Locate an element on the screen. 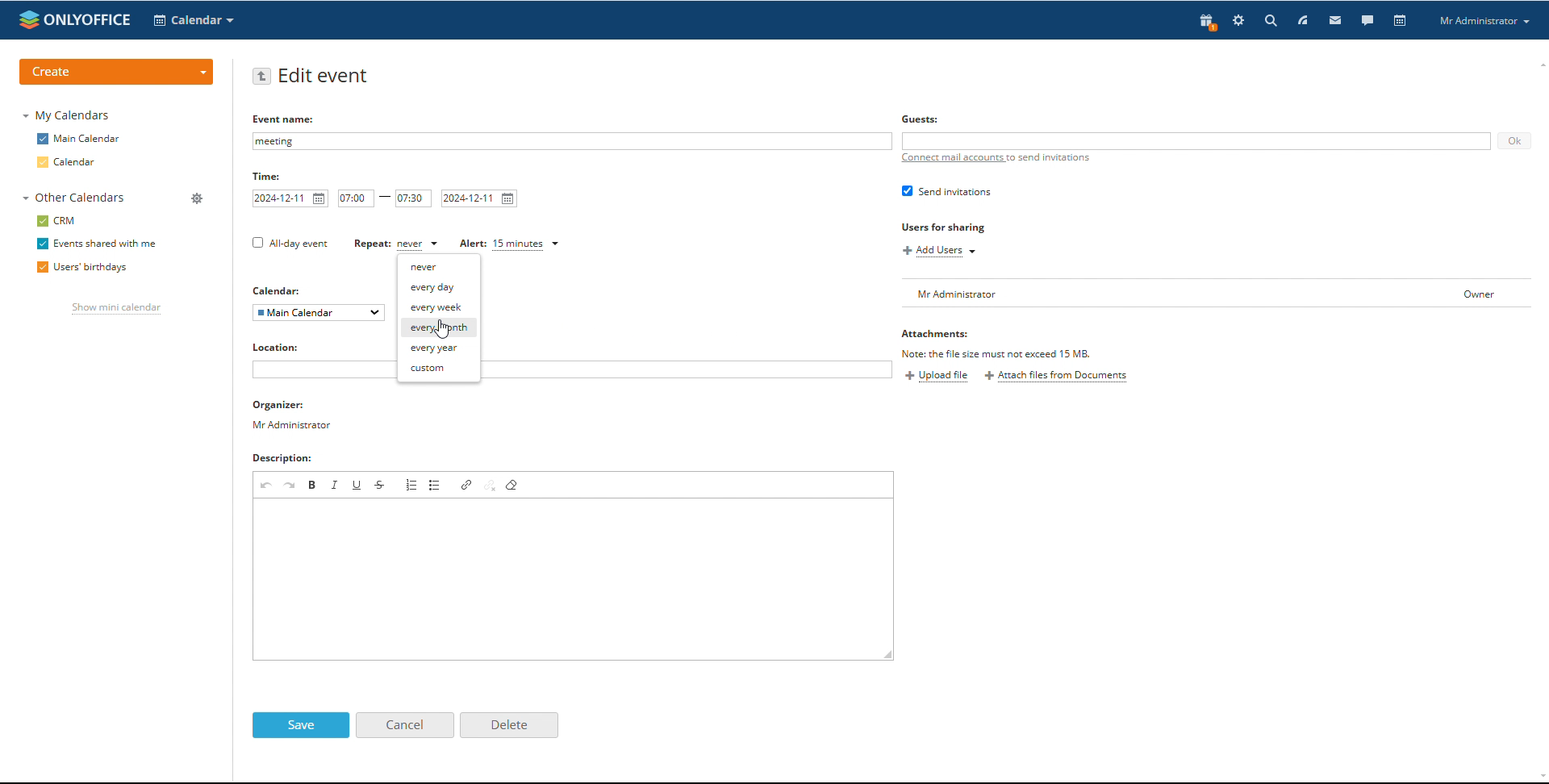 The height and width of the screenshot is (784, 1549). add event name is located at coordinates (571, 141).